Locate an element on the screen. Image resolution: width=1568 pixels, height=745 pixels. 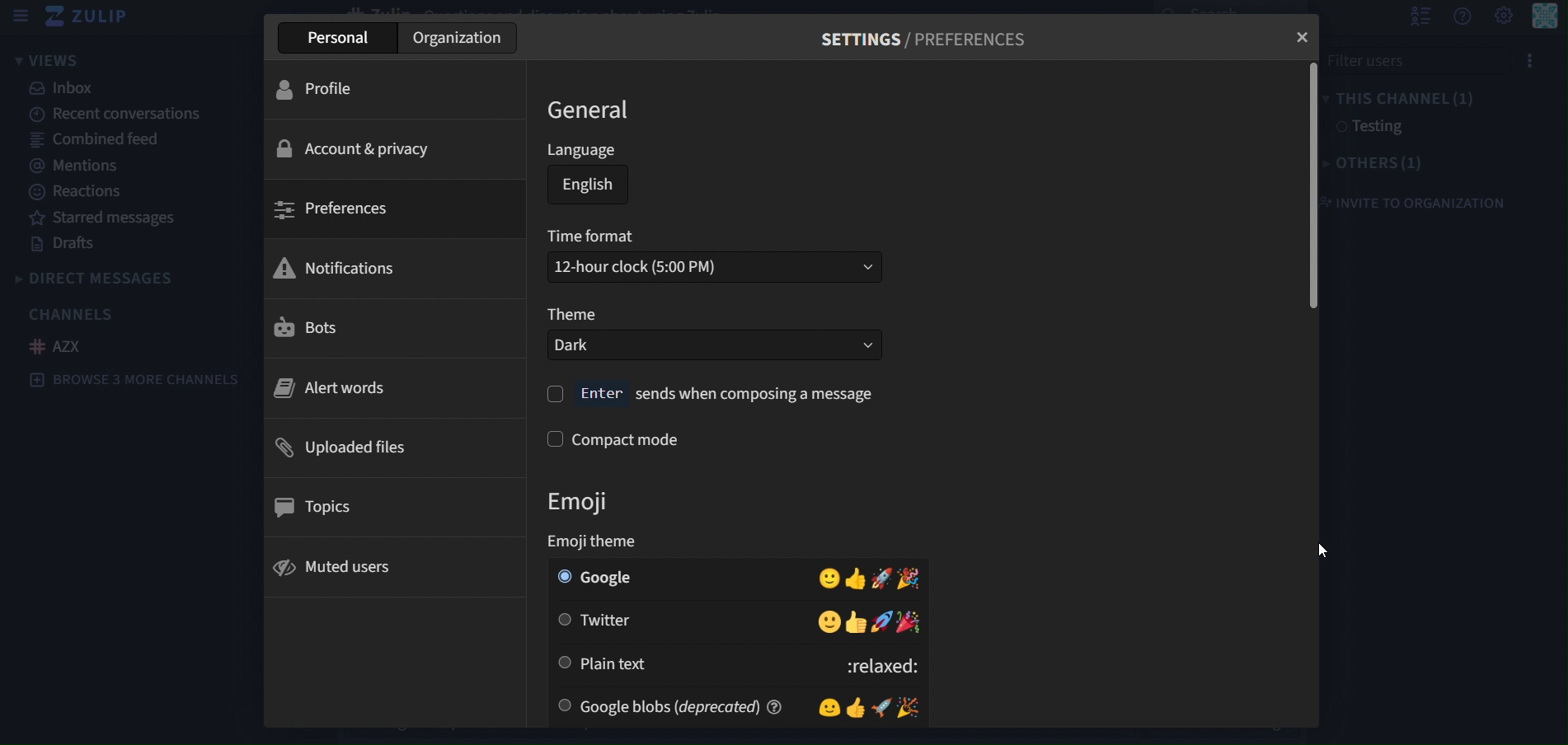
testing1 is located at coordinates (1385, 127).